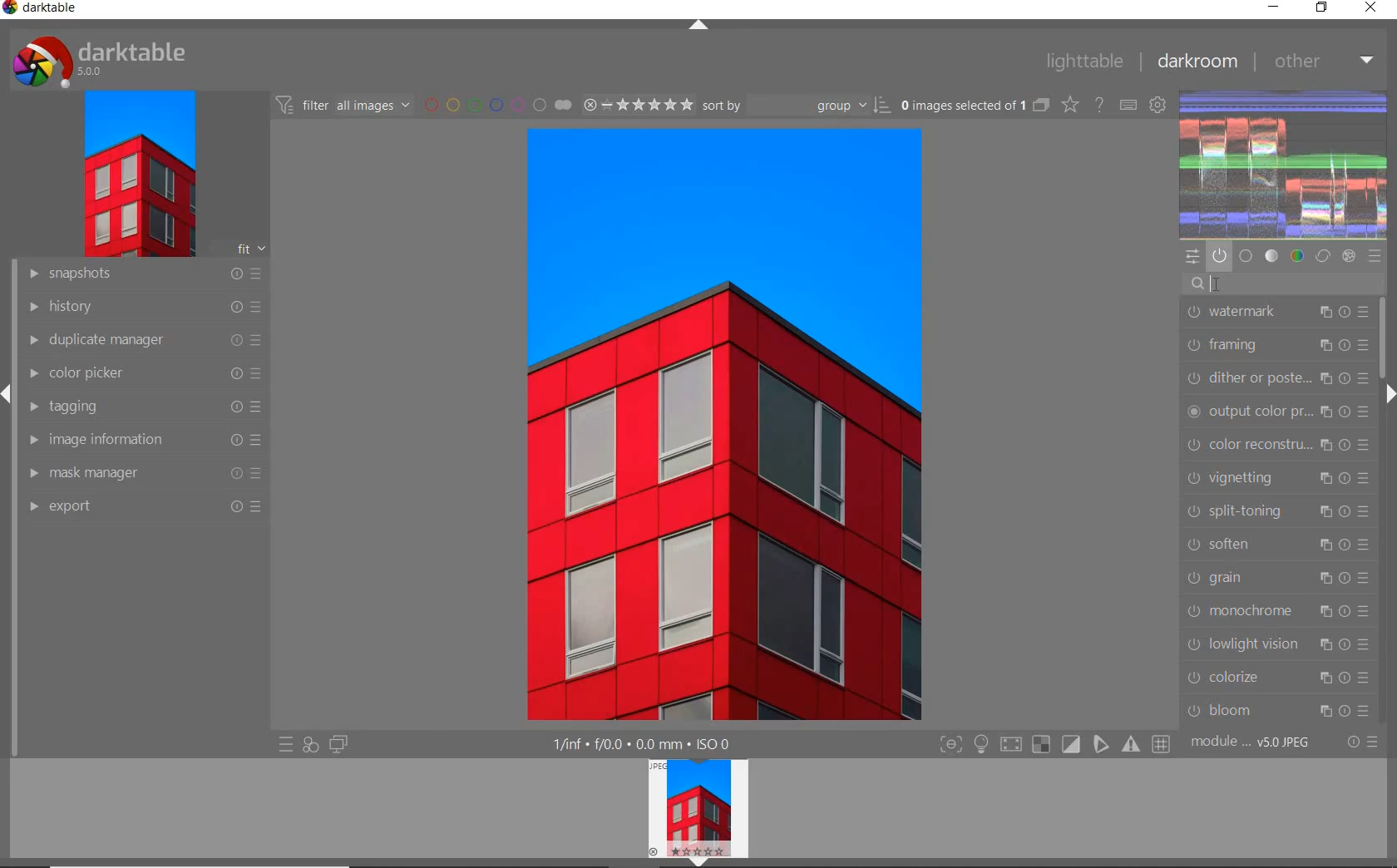 The width and height of the screenshot is (1397, 868). I want to click on soft proofing, so click(1072, 744).